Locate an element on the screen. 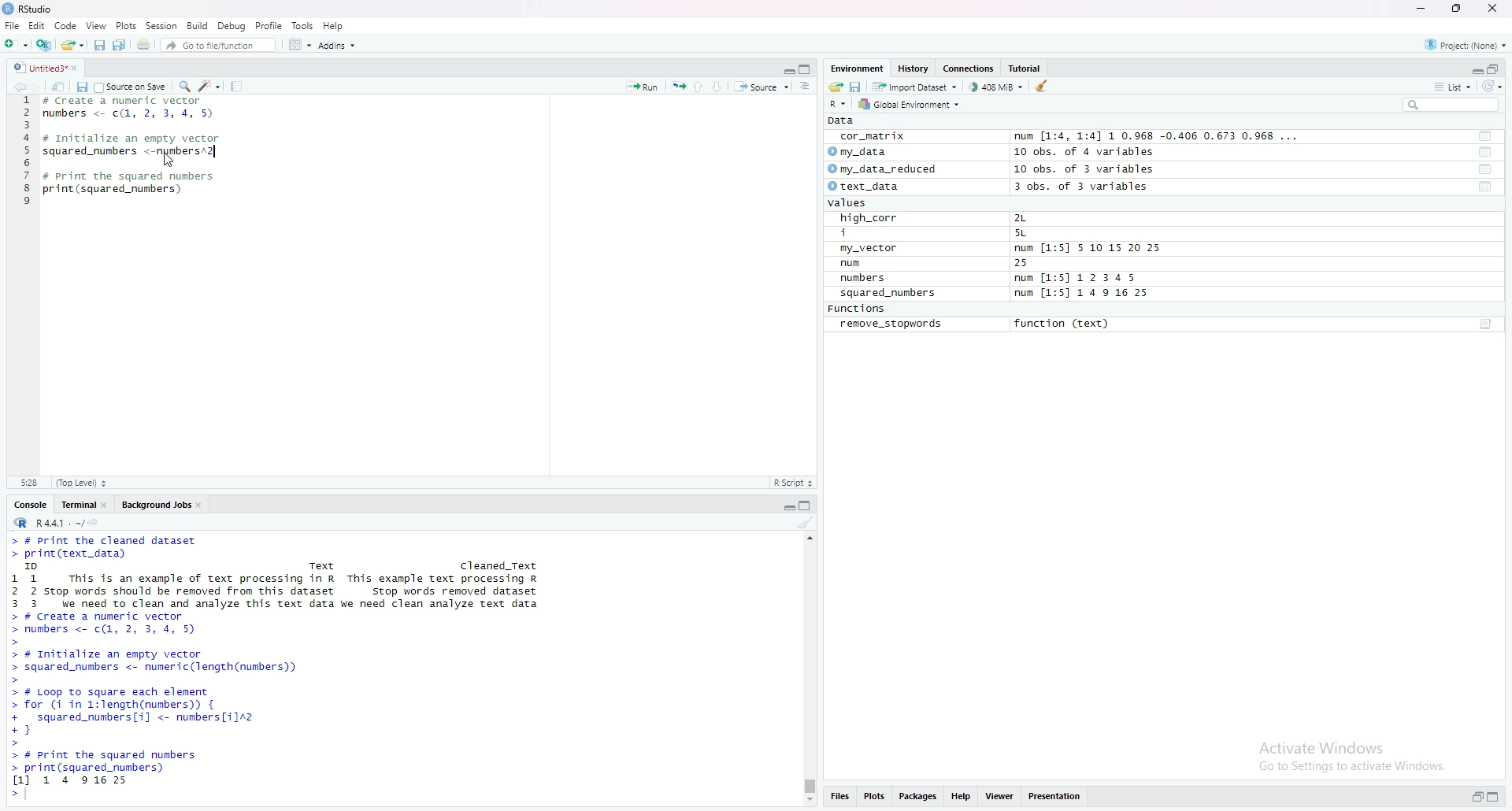 This screenshot has height=811, width=1512. R is located at coordinates (839, 103).